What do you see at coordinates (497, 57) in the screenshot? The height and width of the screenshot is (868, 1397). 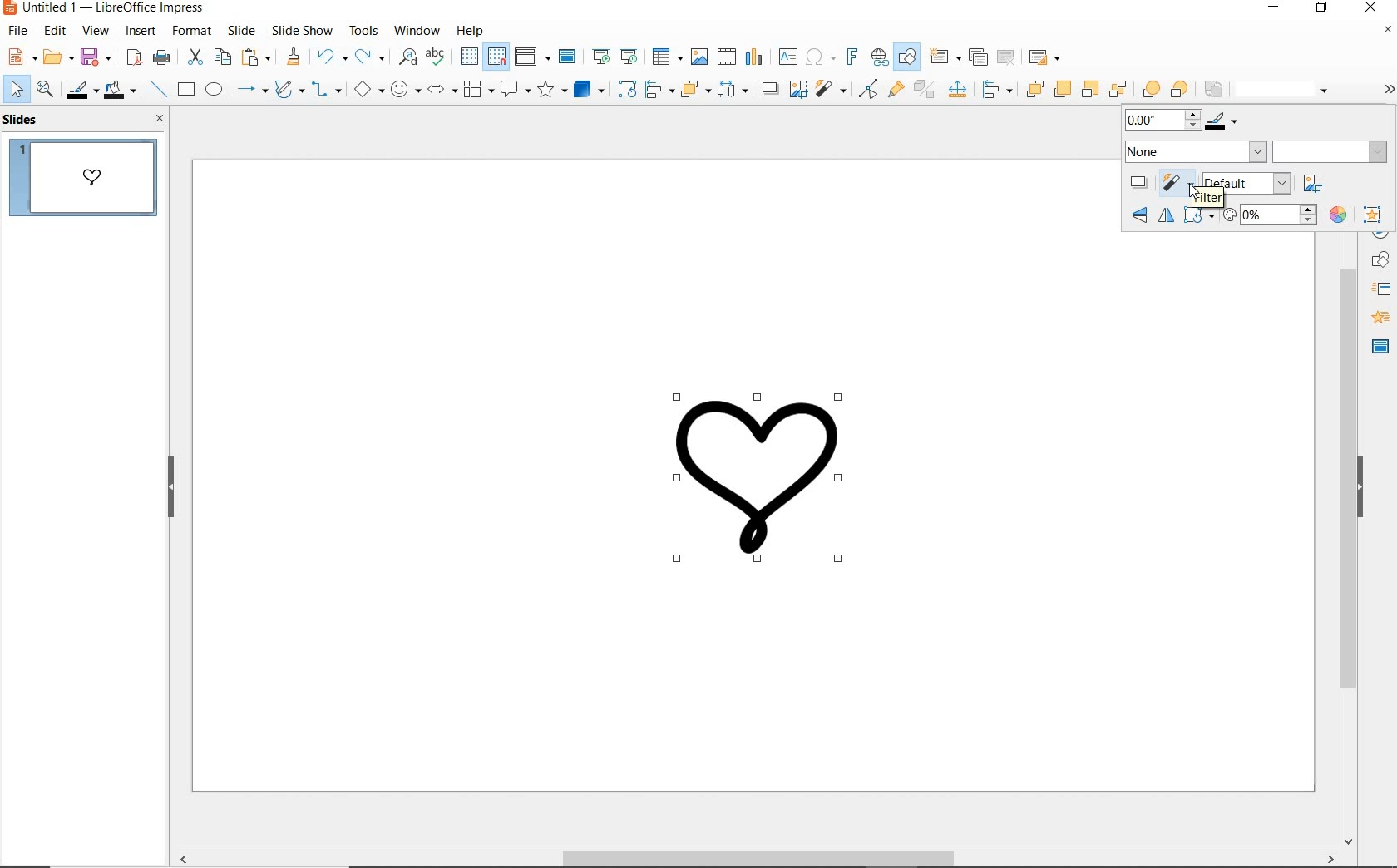 I see `snap to grid` at bounding box center [497, 57].